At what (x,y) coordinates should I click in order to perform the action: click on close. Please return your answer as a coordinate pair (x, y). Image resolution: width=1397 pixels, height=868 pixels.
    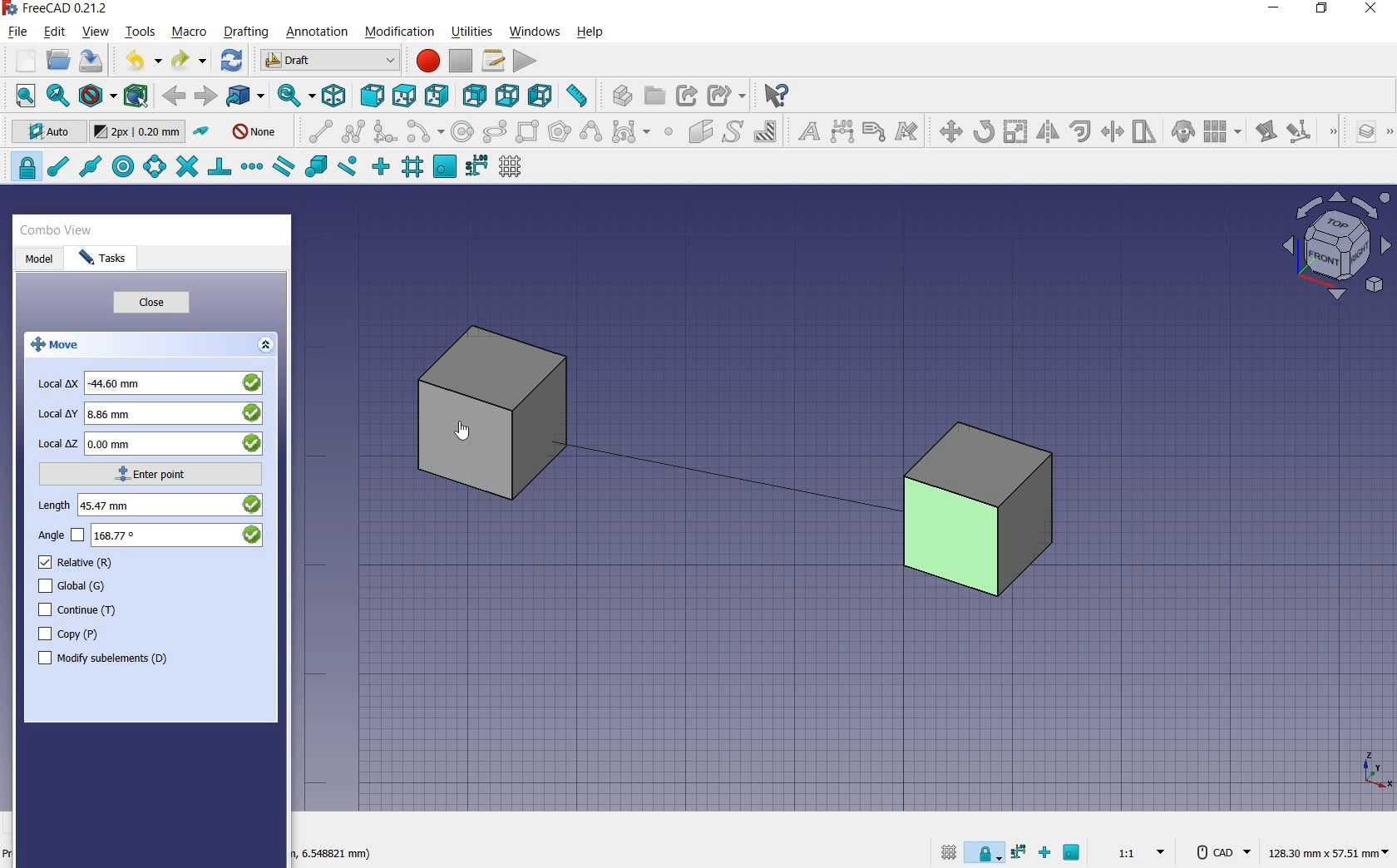
    Looking at the image, I should click on (280, 229).